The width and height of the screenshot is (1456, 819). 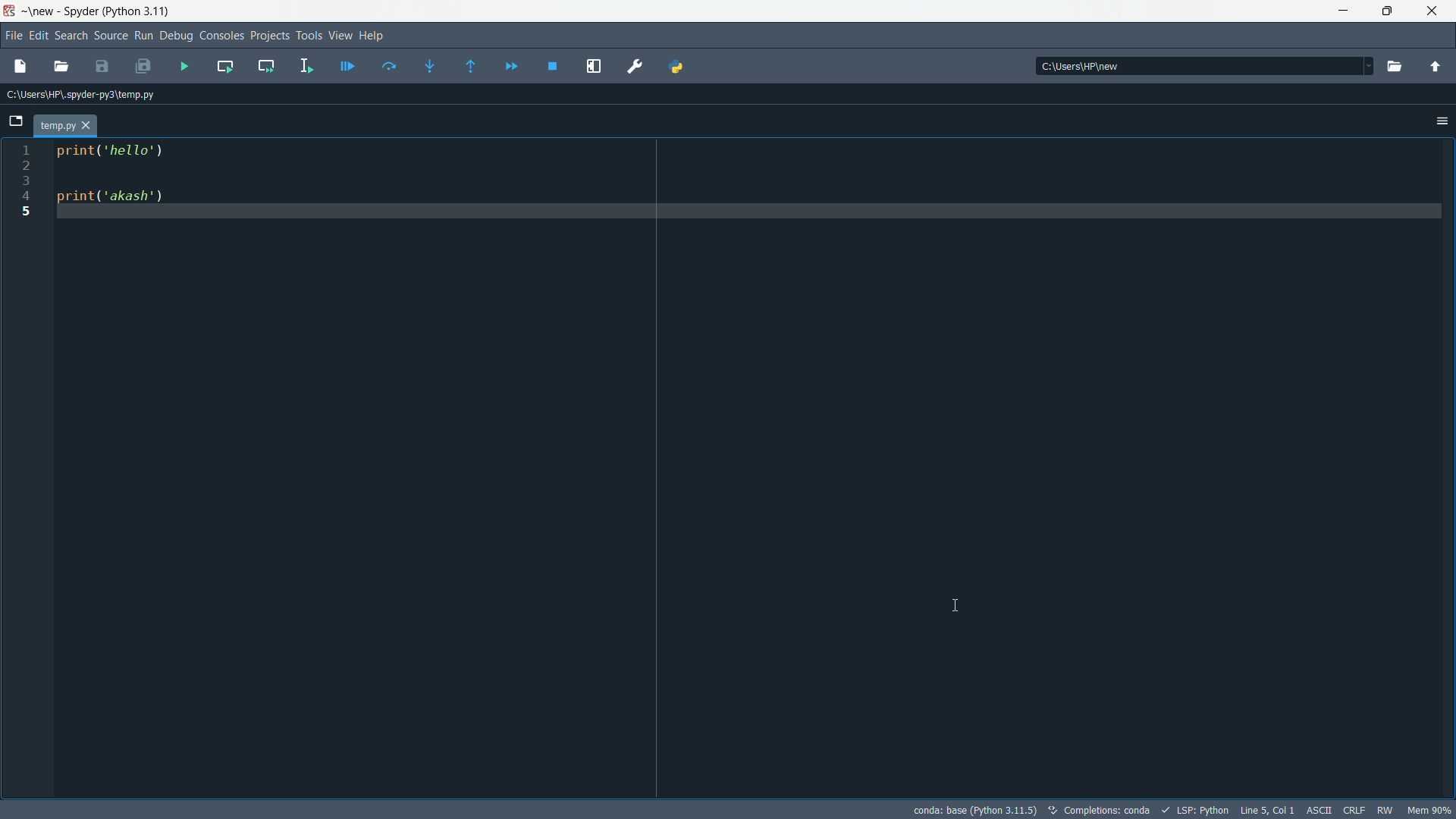 What do you see at coordinates (389, 66) in the screenshot?
I see `run current line` at bounding box center [389, 66].